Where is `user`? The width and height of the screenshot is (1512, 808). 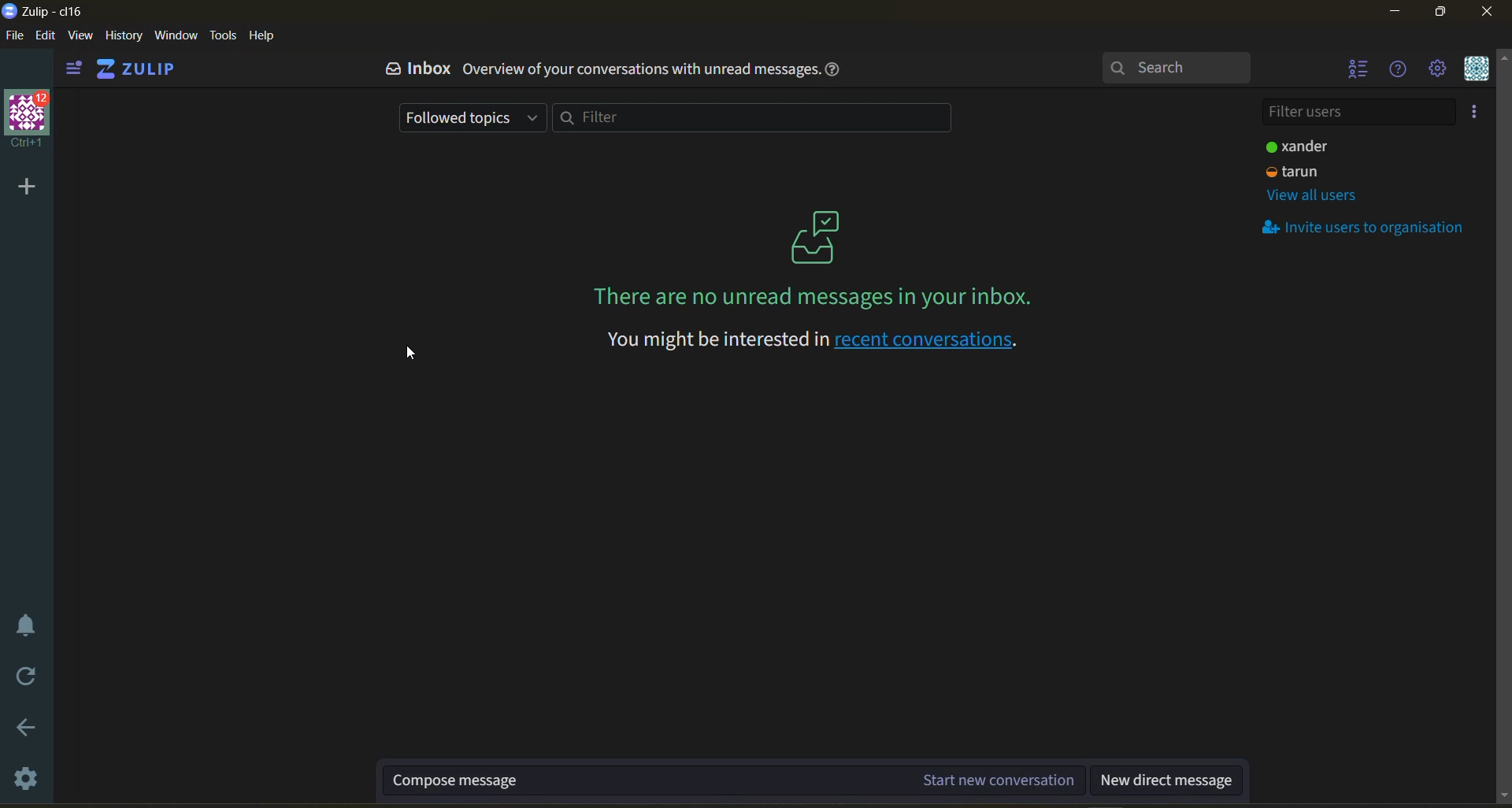
user is located at coordinates (1309, 149).